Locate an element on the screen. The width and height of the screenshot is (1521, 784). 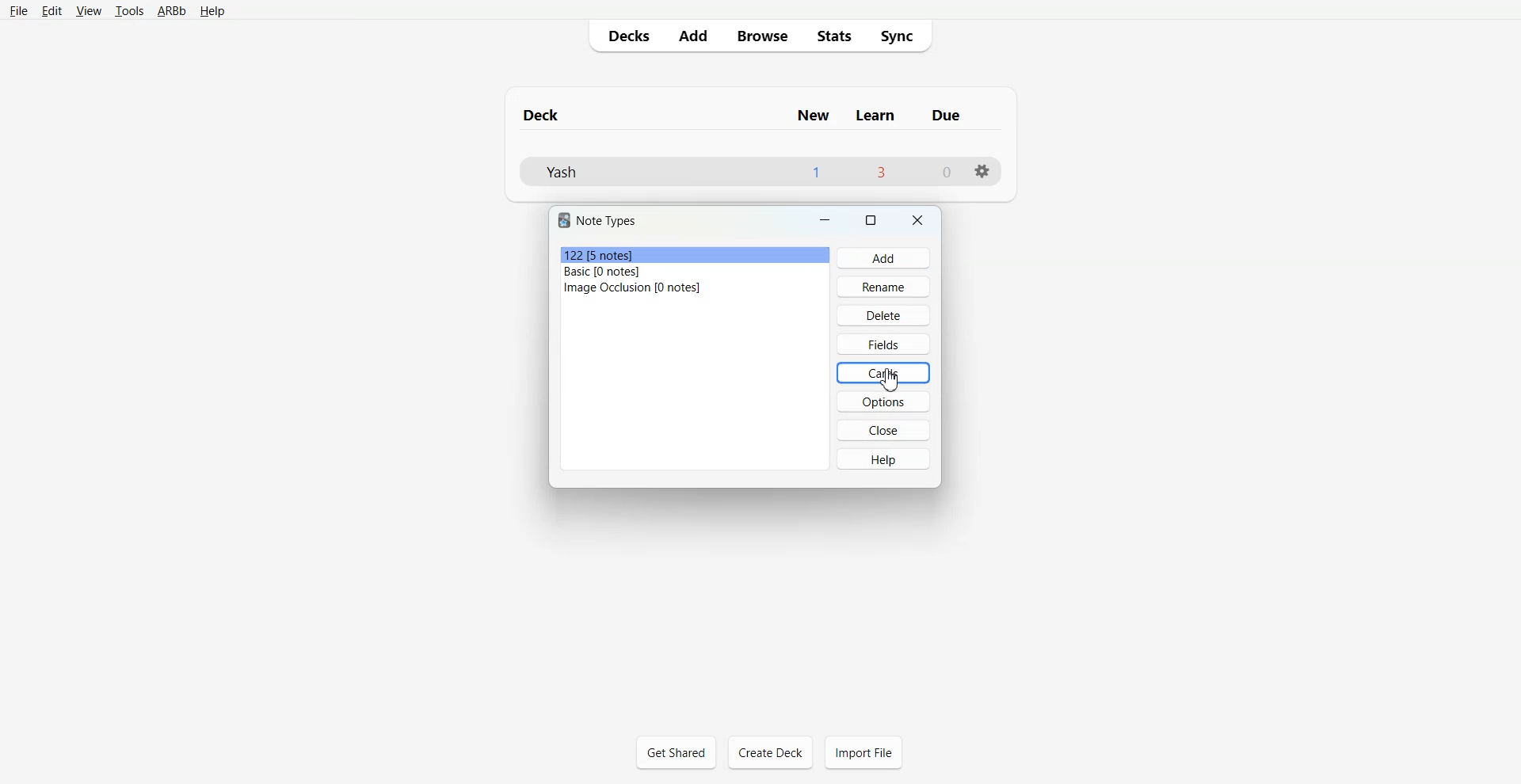
Options is located at coordinates (886, 402).